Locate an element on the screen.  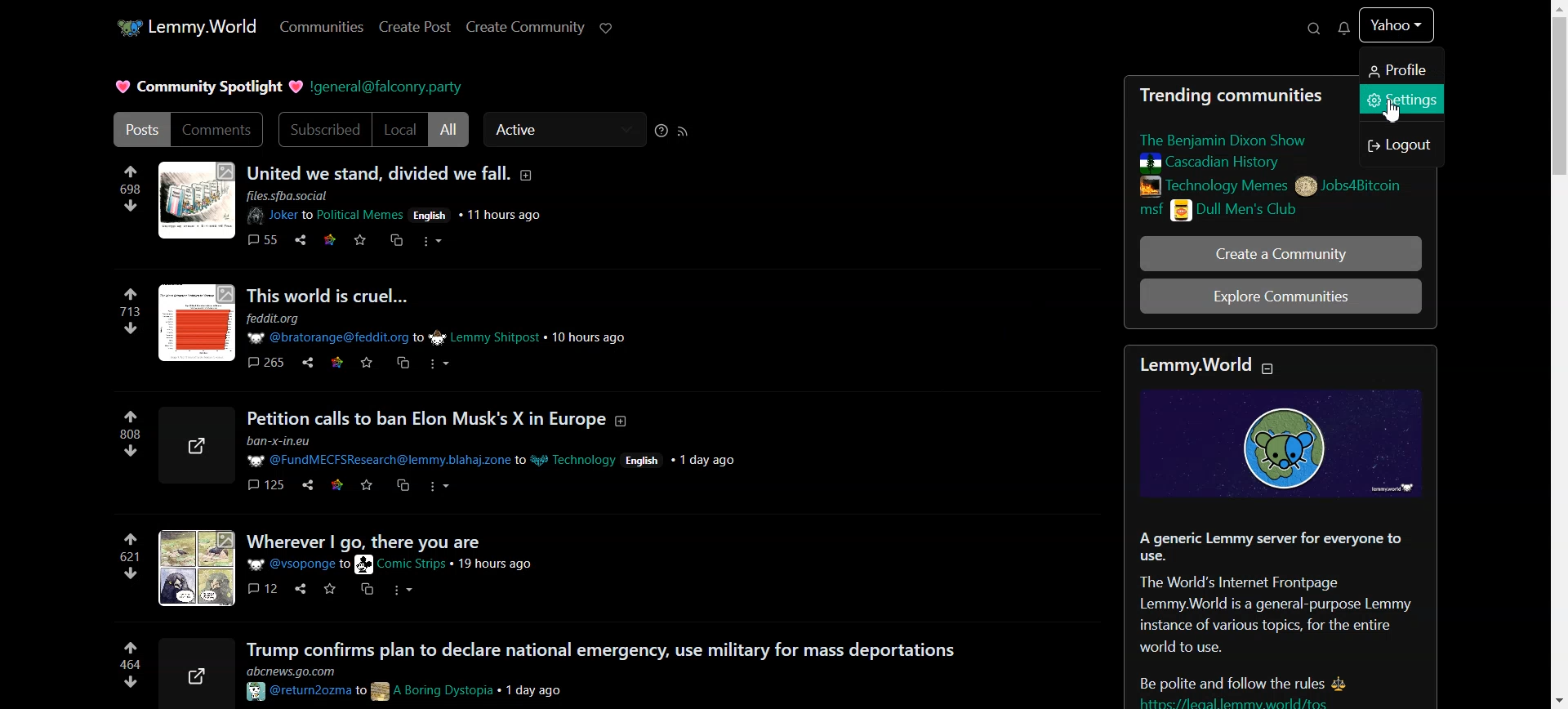
Comments is located at coordinates (220, 130).